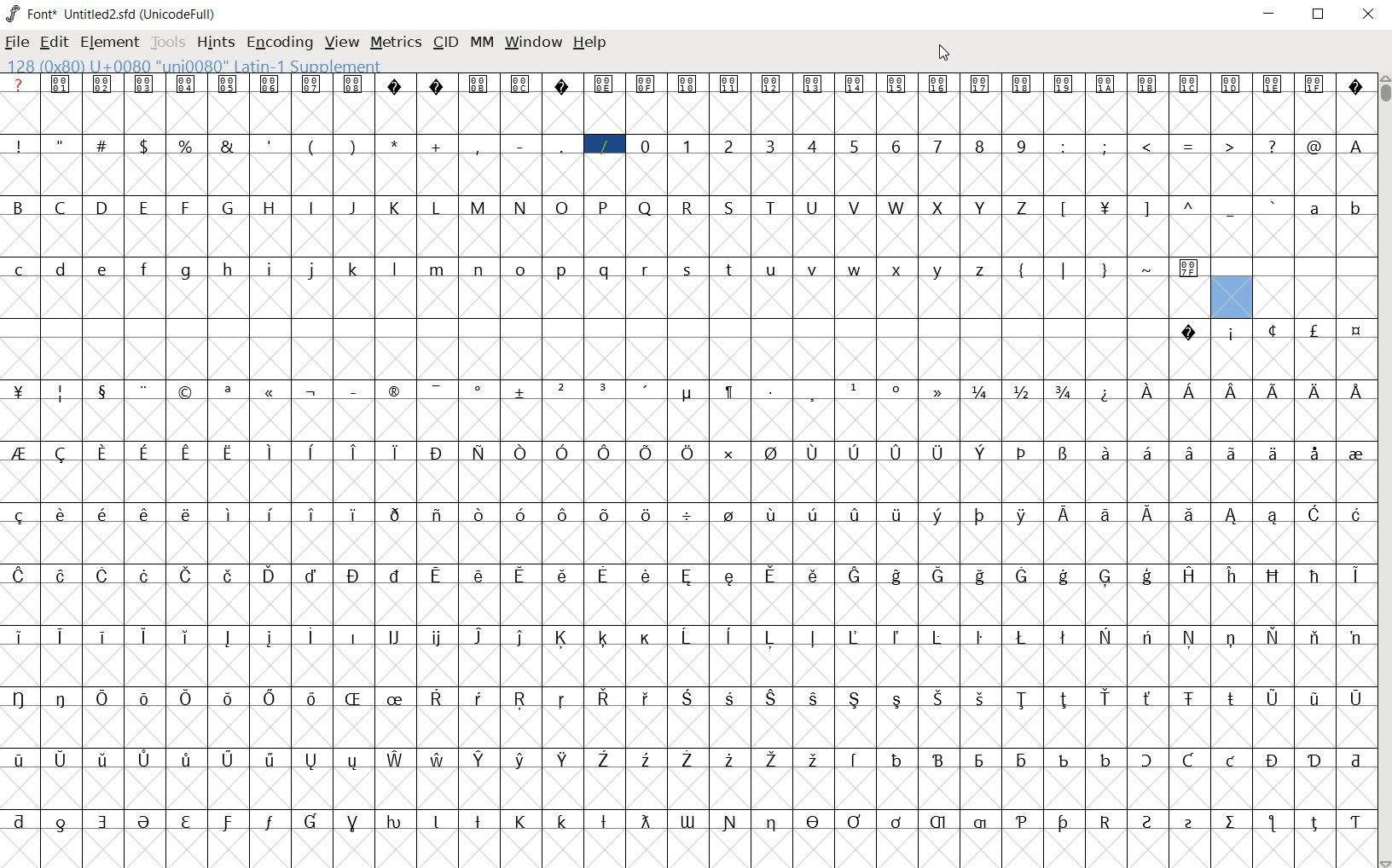 The width and height of the screenshot is (1392, 868). What do you see at coordinates (1105, 760) in the screenshot?
I see `glyph` at bounding box center [1105, 760].